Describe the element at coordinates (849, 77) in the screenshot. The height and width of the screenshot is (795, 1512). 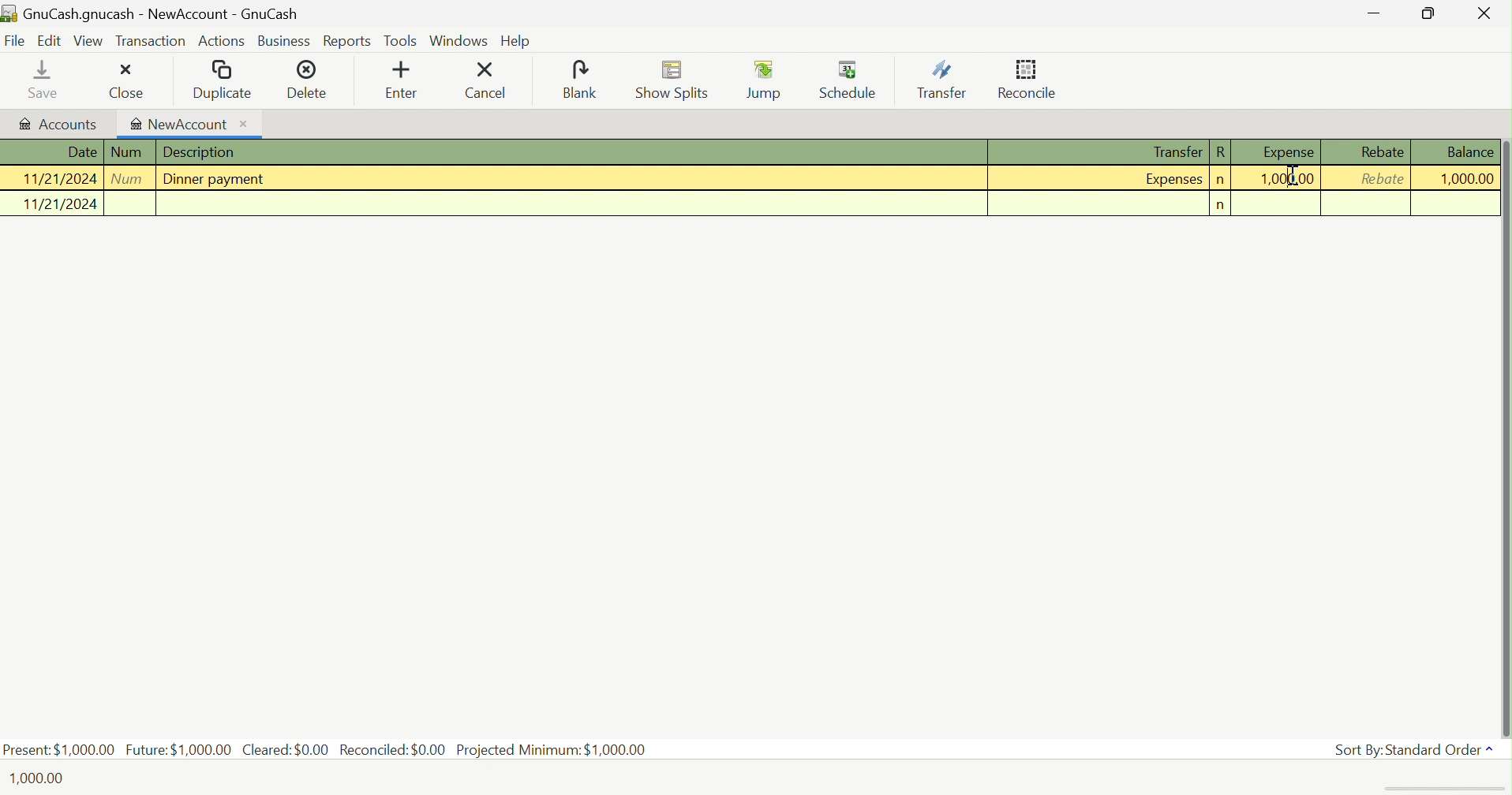
I see `Schedule` at that location.